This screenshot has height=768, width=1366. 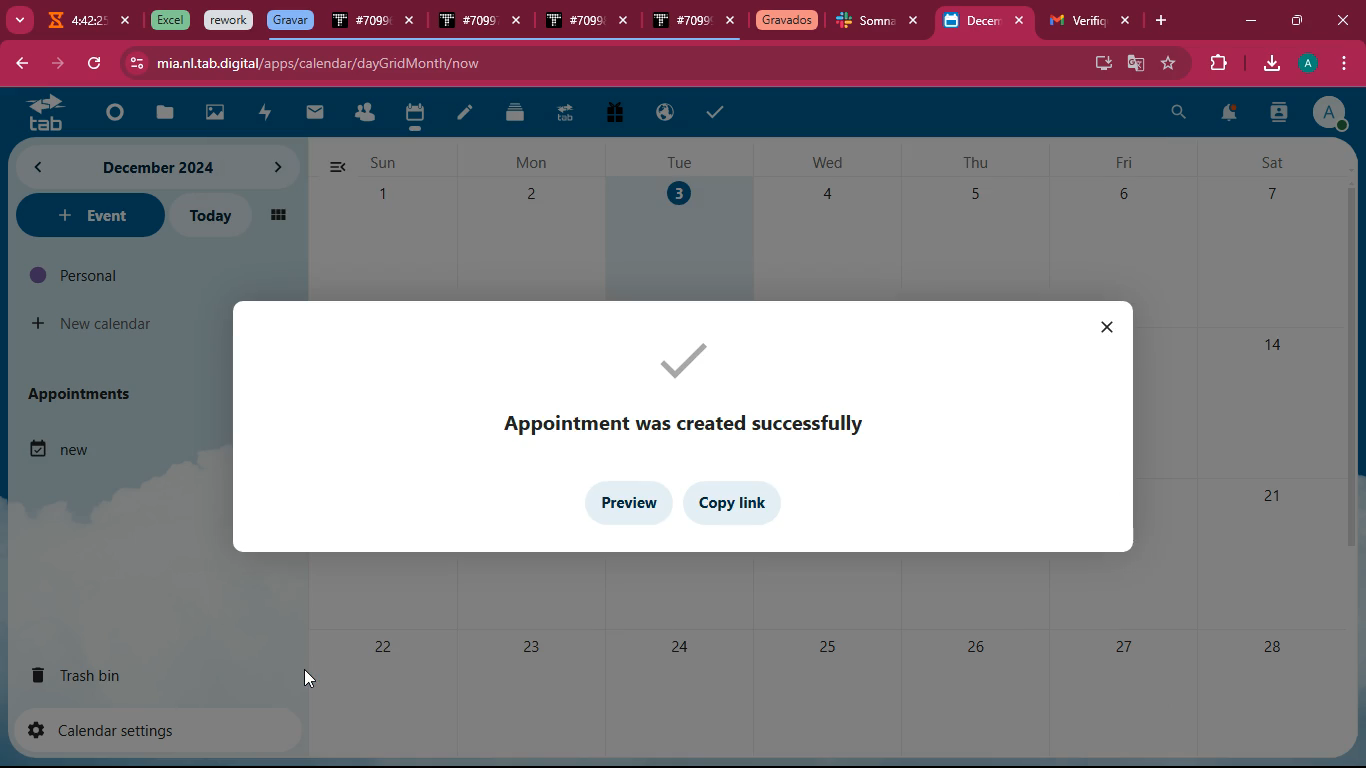 What do you see at coordinates (364, 114) in the screenshot?
I see `people` at bounding box center [364, 114].